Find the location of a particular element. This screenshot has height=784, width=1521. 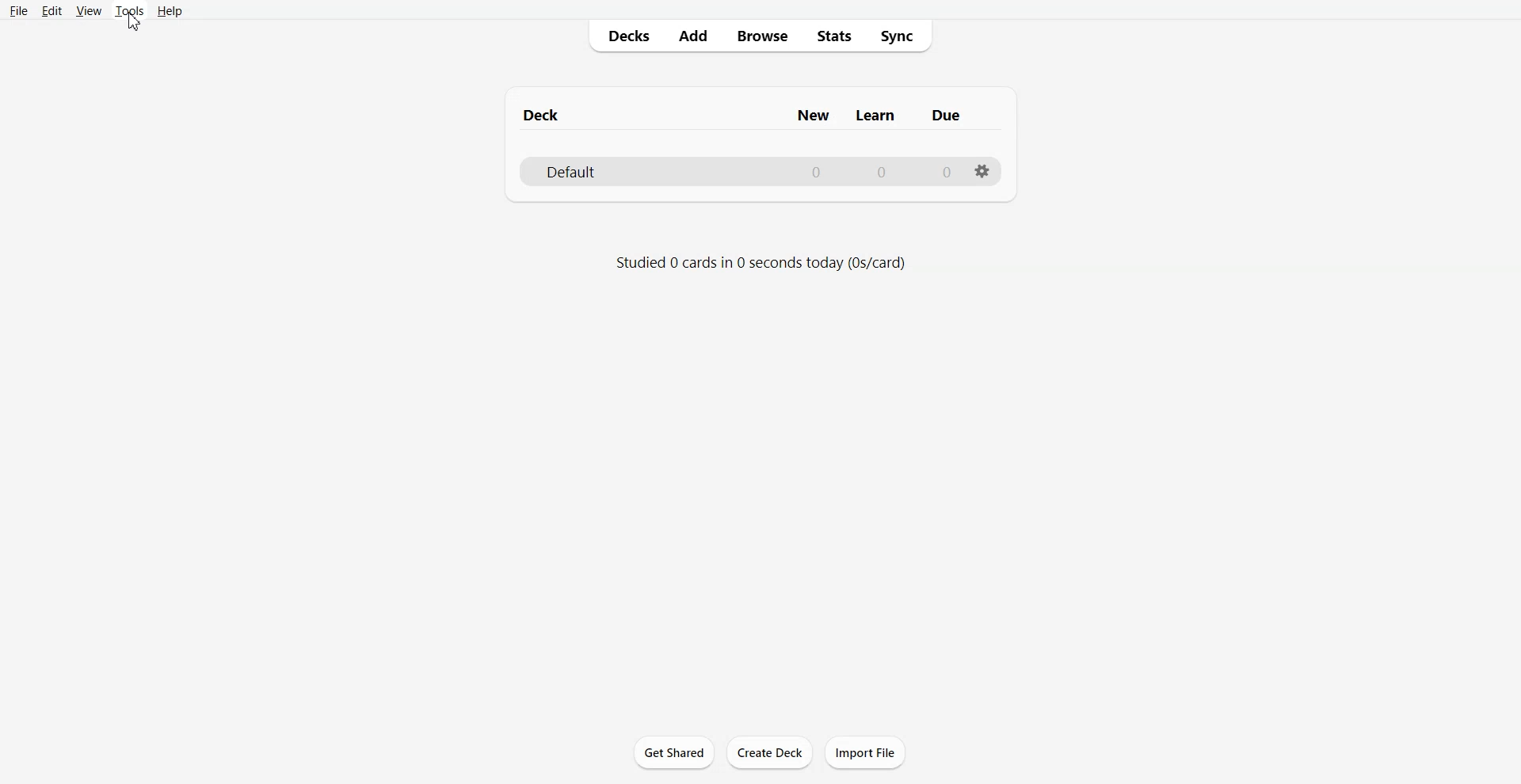

View is located at coordinates (88, 10).